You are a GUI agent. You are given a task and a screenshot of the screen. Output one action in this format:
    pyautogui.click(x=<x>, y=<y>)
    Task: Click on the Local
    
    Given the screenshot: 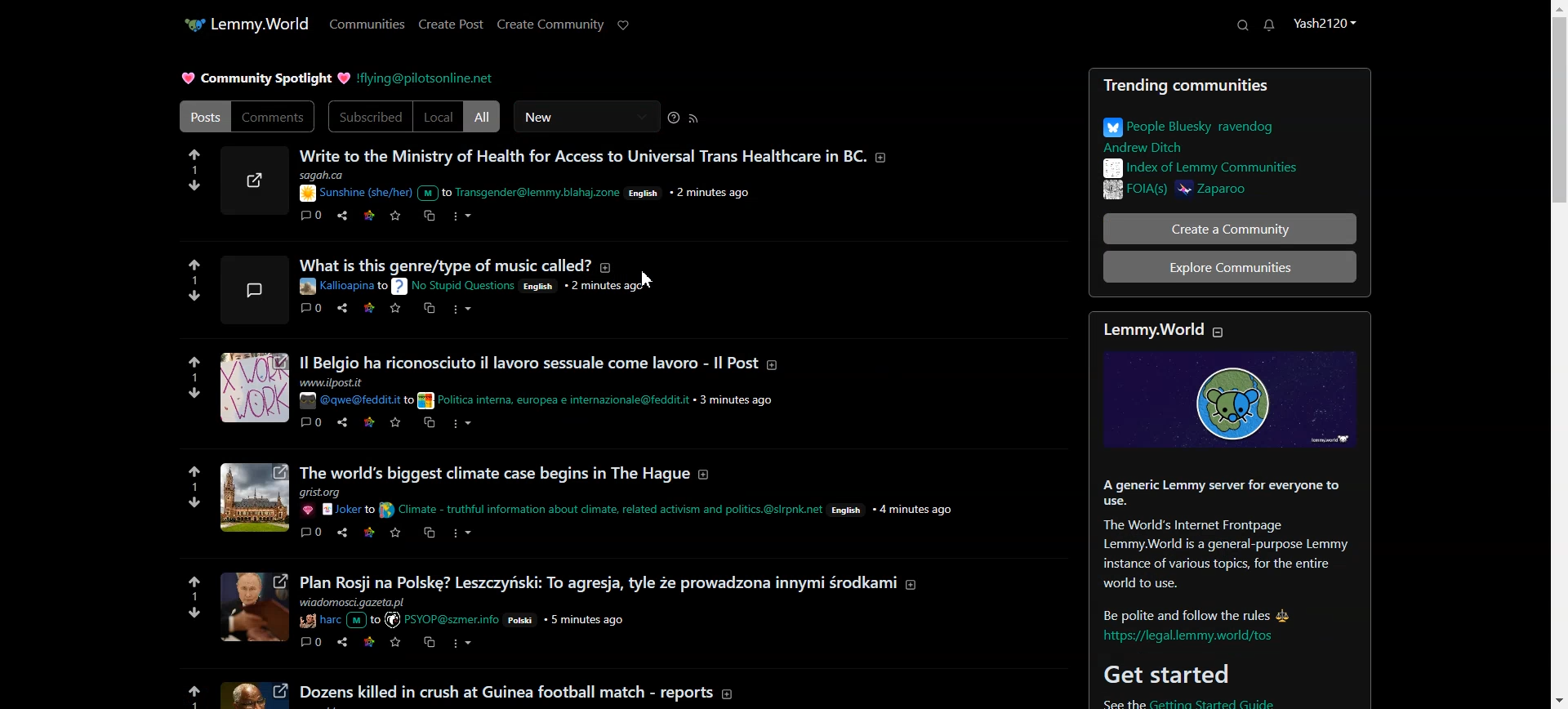 What is the action you would take?
    pyautogui.click(x=439, y=116)
    